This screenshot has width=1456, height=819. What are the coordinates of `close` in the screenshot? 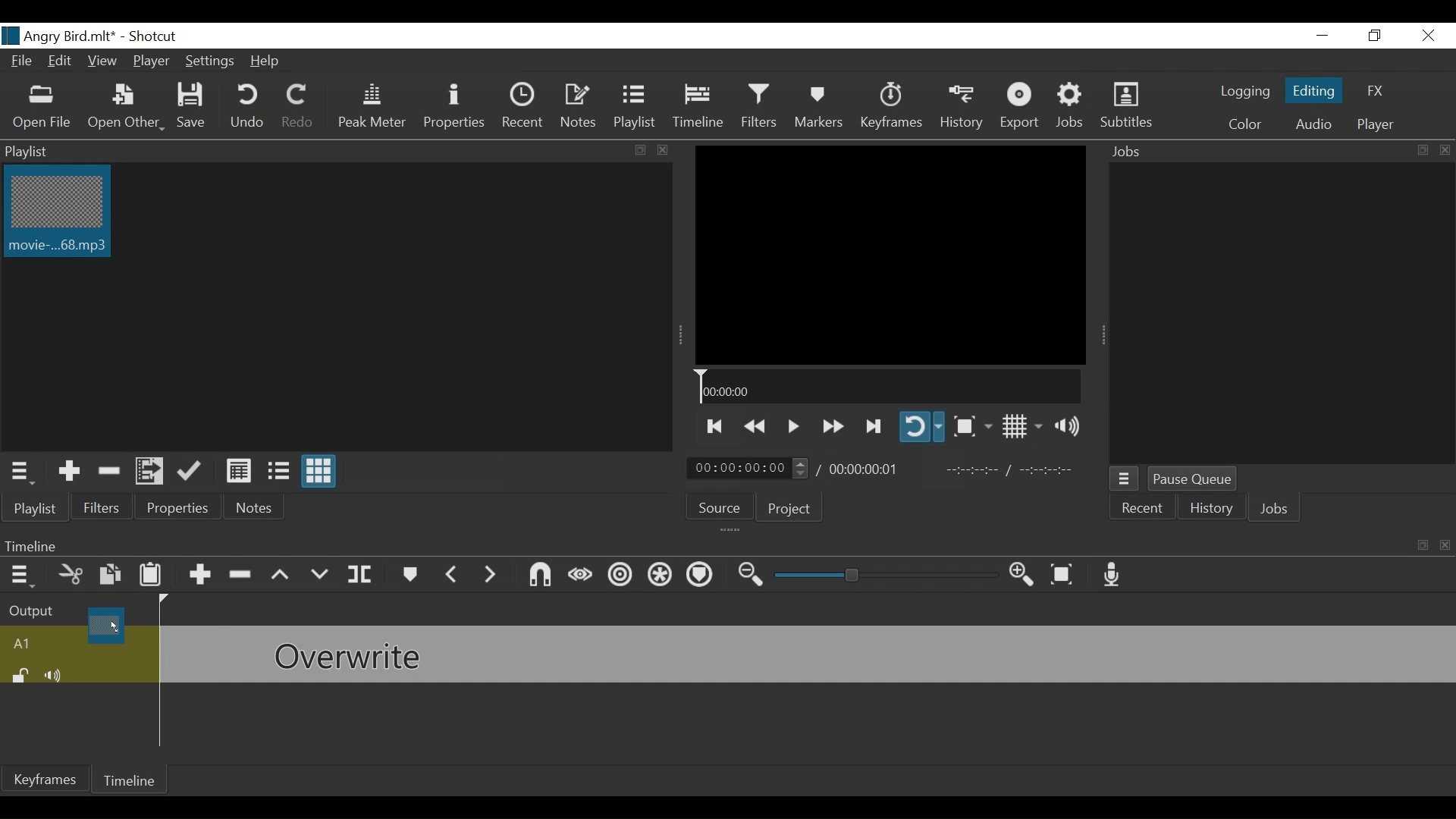 It's located at (1442, 544).